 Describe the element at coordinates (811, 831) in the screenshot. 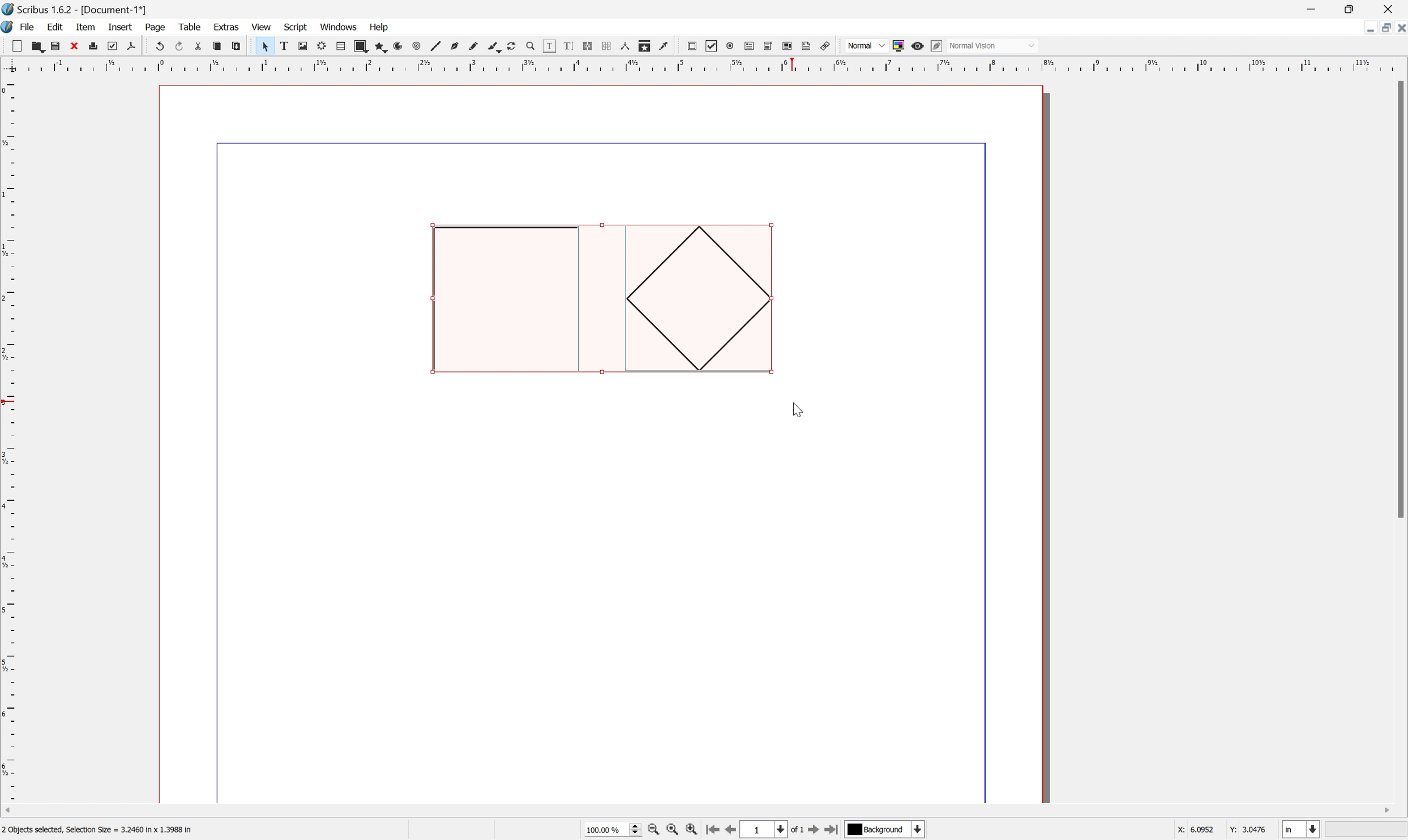

I see `Go to next page` at that location.